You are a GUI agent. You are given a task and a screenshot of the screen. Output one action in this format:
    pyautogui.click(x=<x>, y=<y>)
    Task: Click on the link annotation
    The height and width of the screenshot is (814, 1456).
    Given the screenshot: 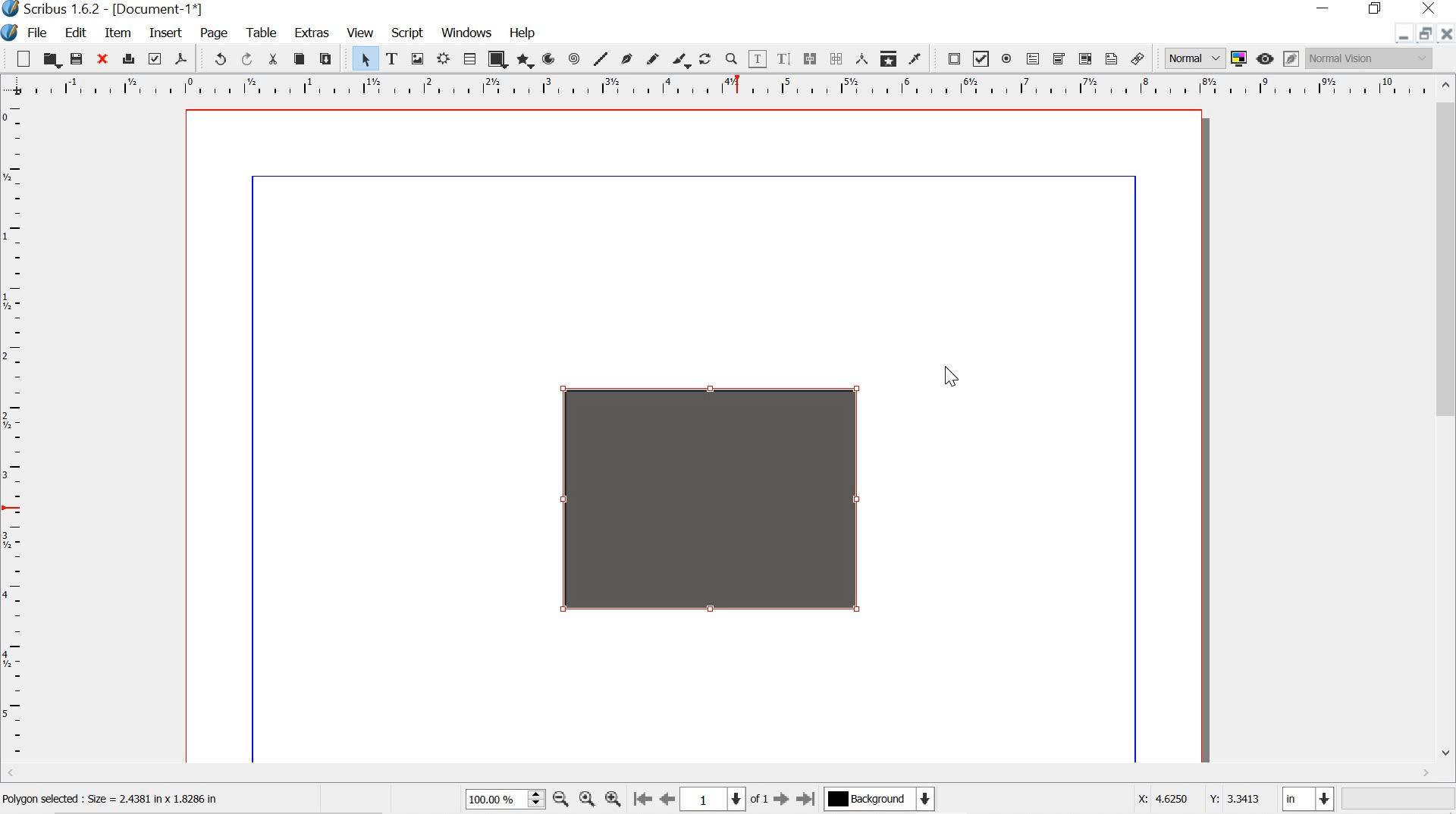 What is the action you would take?
    pyautogui.click(x=1137, y=59)
    